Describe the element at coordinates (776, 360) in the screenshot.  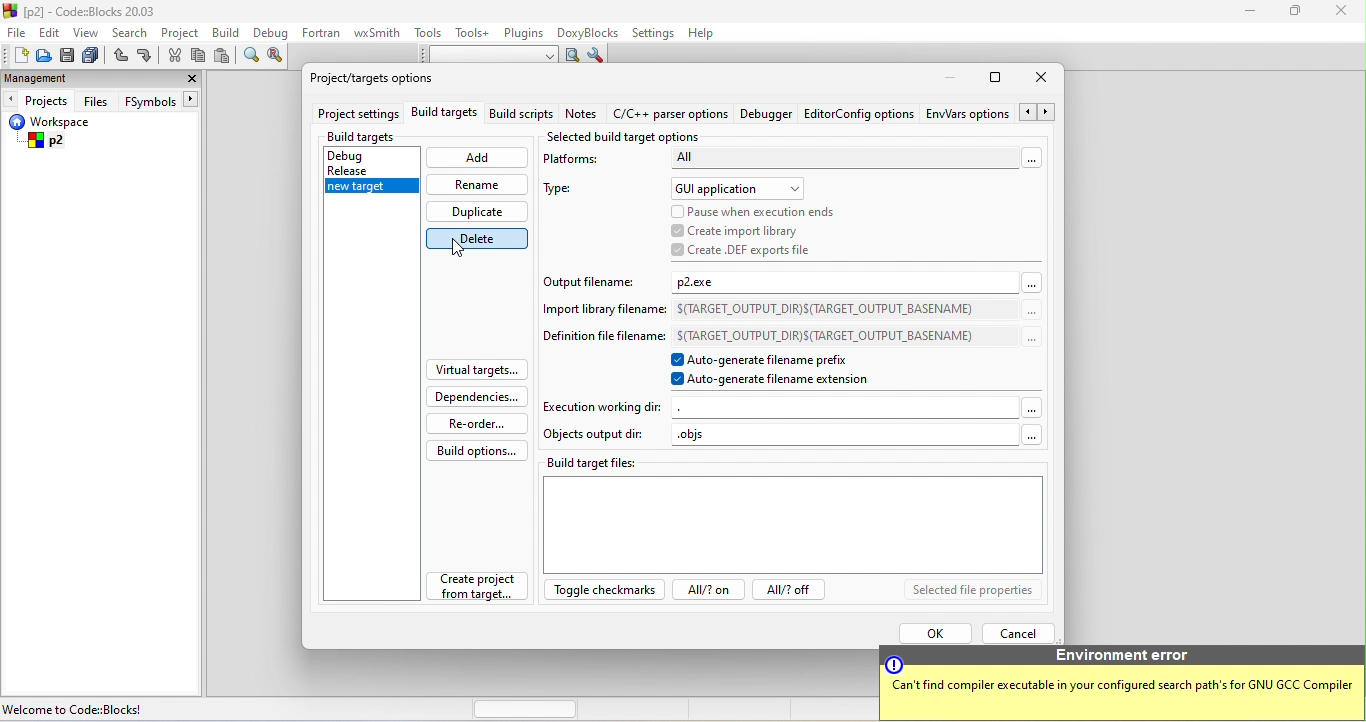
I see `auto generate filename prefex` at that location.